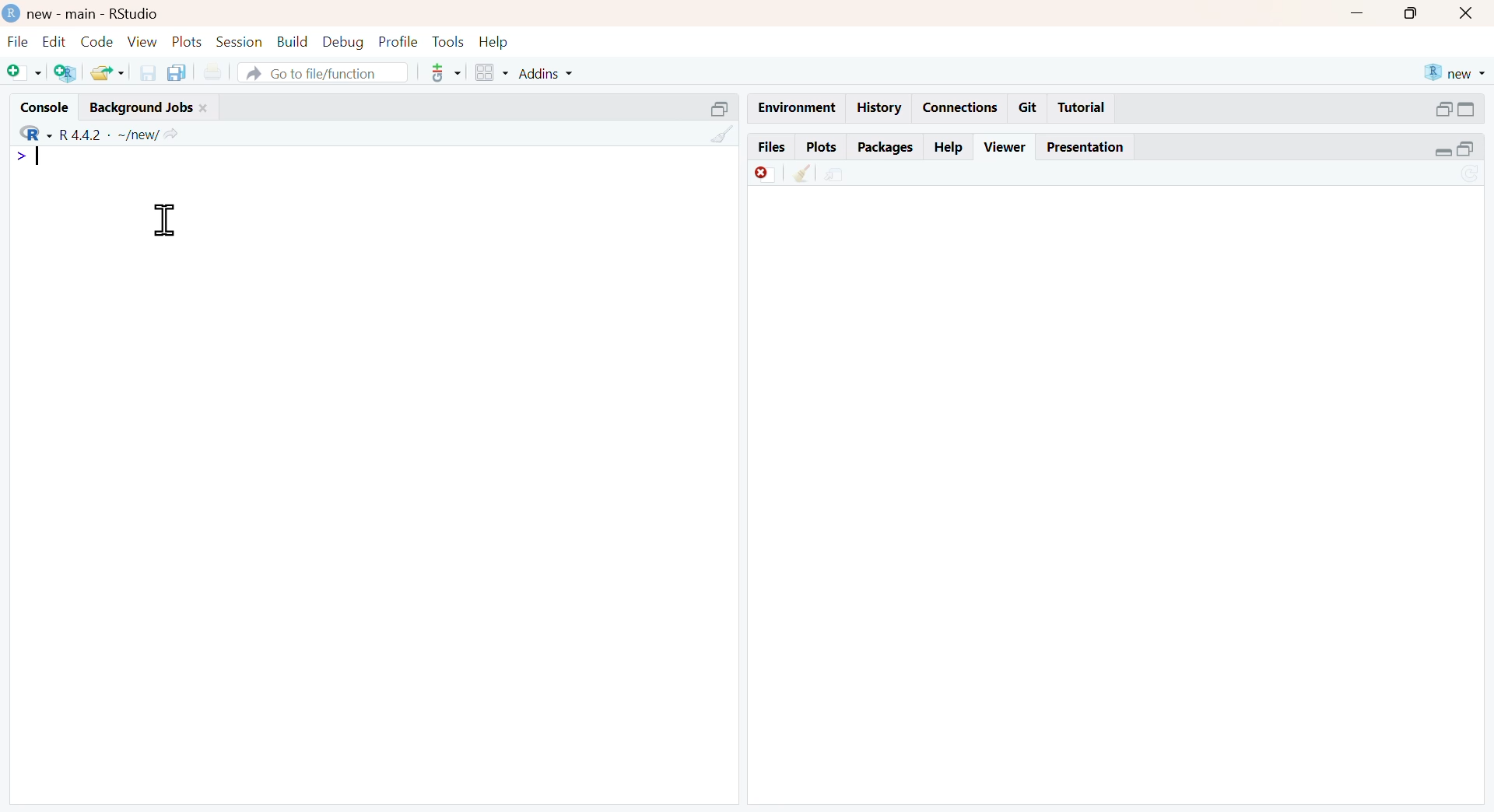 Image resolution: width=1494 pixels, height=812 pixels. I want to click on maximize, so click(1467, 149).